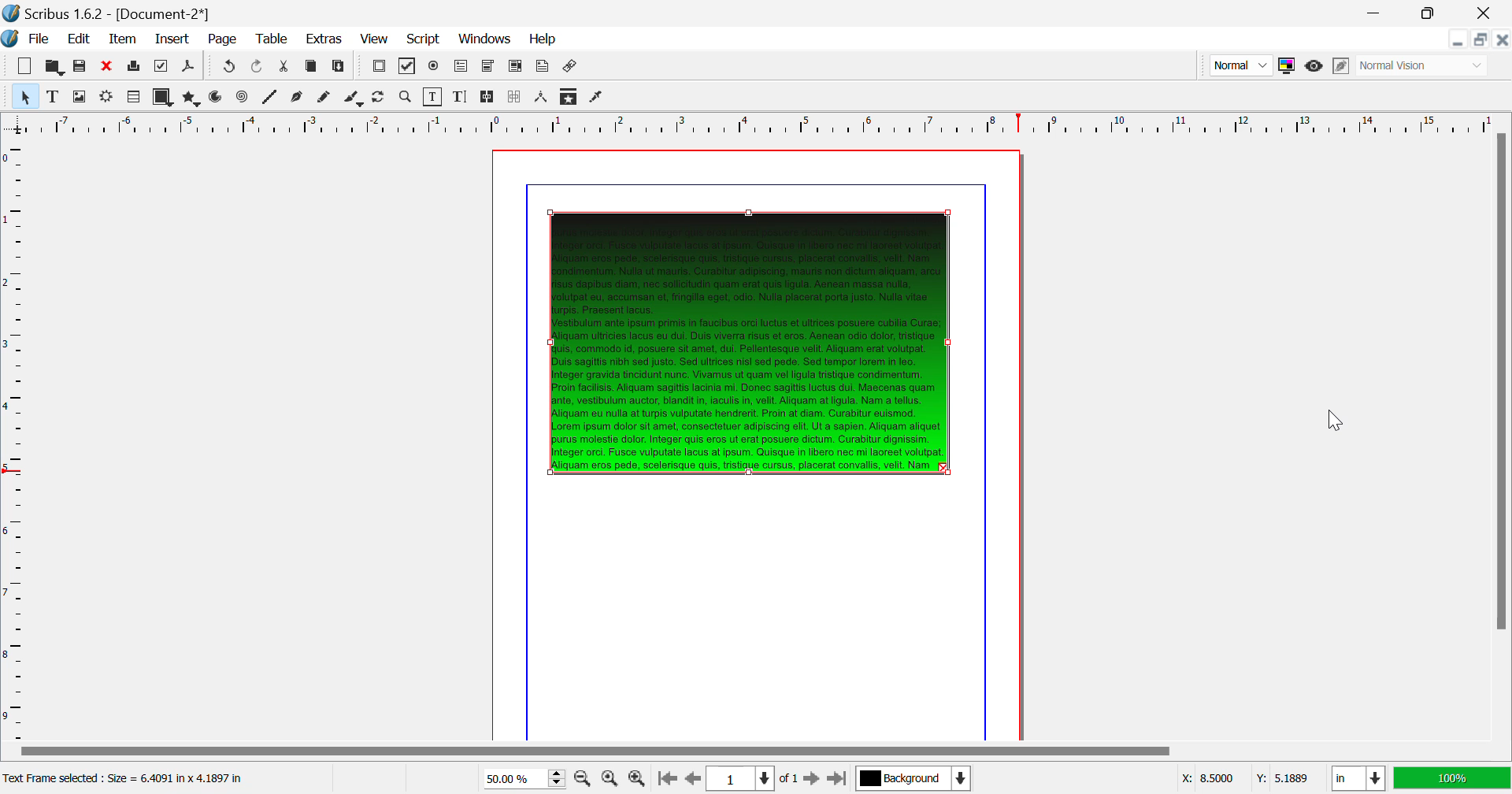 The height and width of the screenshot is (794, 1512). Describe the element at coordinates (542, 68) in the screenshot. I see `Text Annotation` at that location.